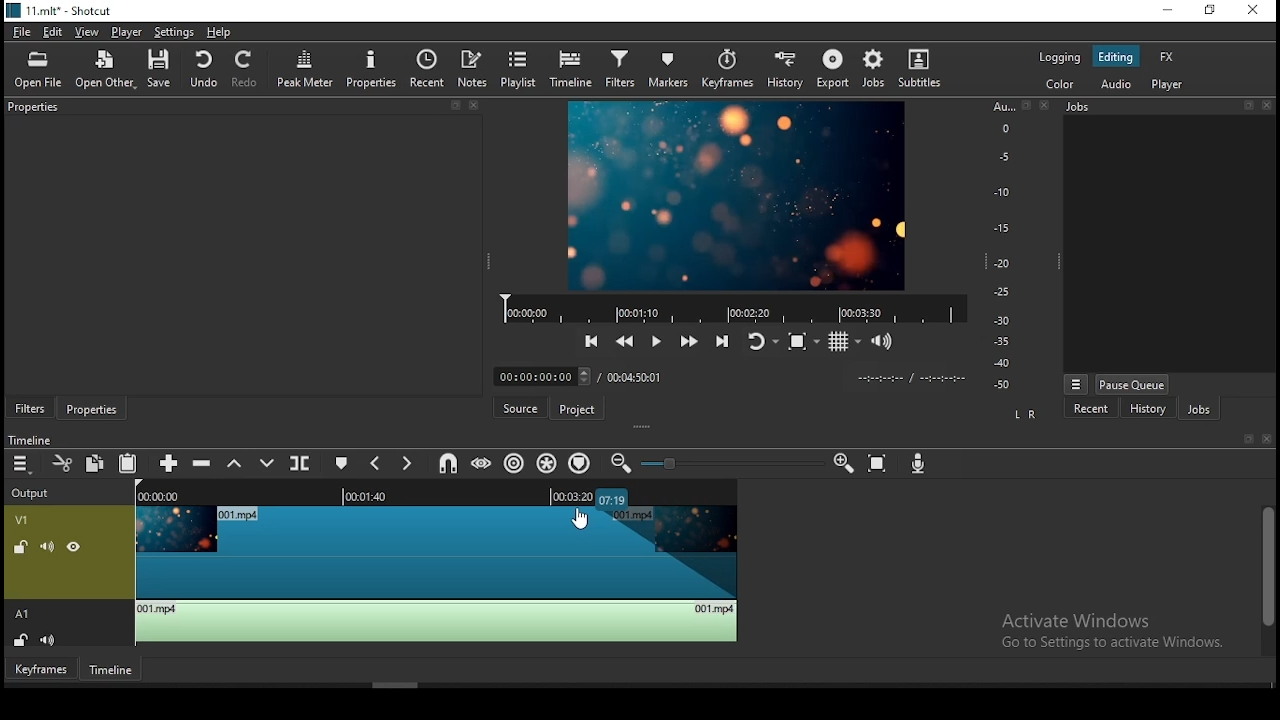 This screenshot has height=720, width=1280. What do you see at coordinates (304, 69) in the screenshot?
I see `peak meter` at bounding box center [304, 69].